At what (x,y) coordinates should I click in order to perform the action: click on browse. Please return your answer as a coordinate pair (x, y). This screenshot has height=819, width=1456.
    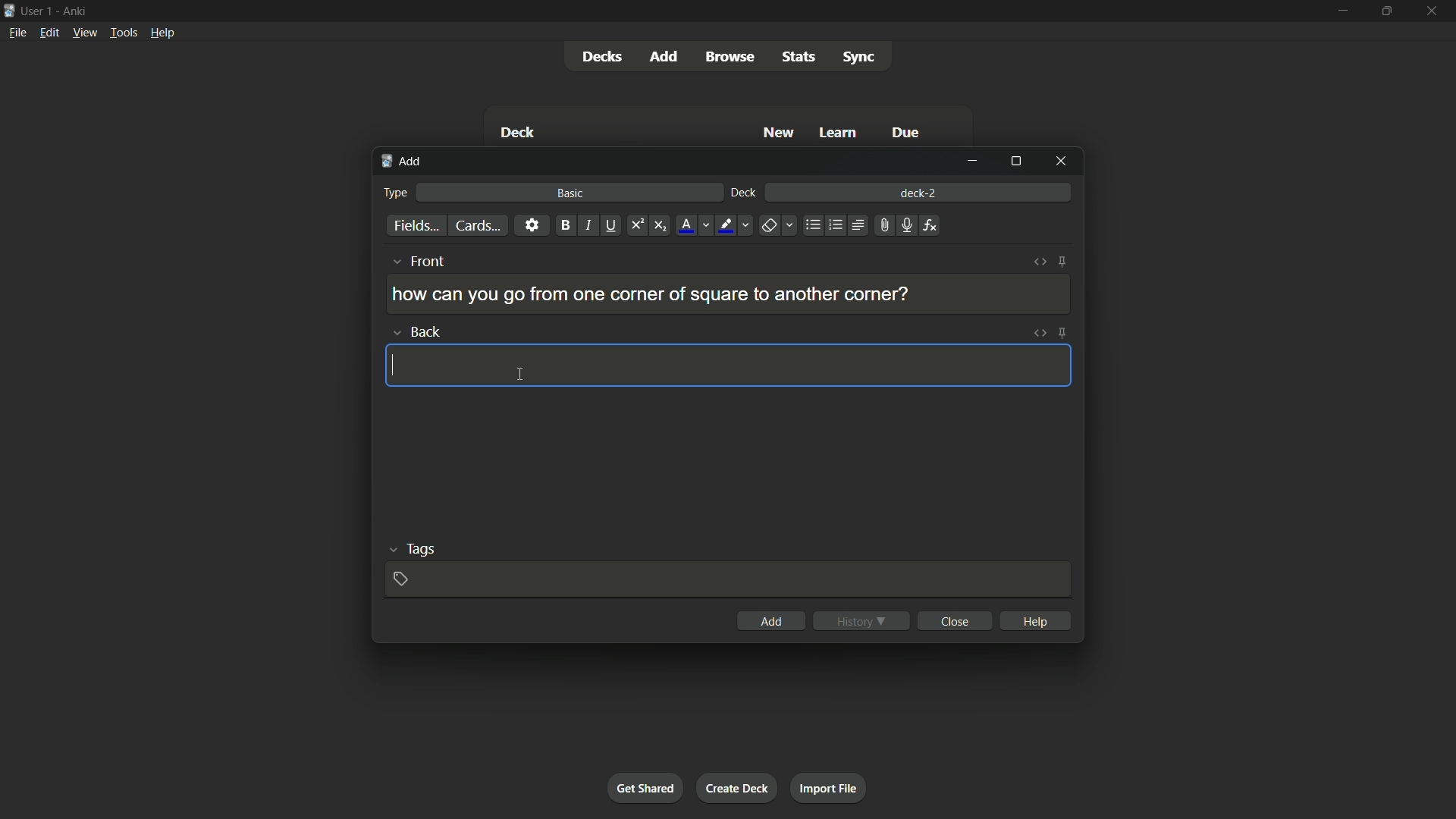
    Looking at the image, I should click on (731, 57).